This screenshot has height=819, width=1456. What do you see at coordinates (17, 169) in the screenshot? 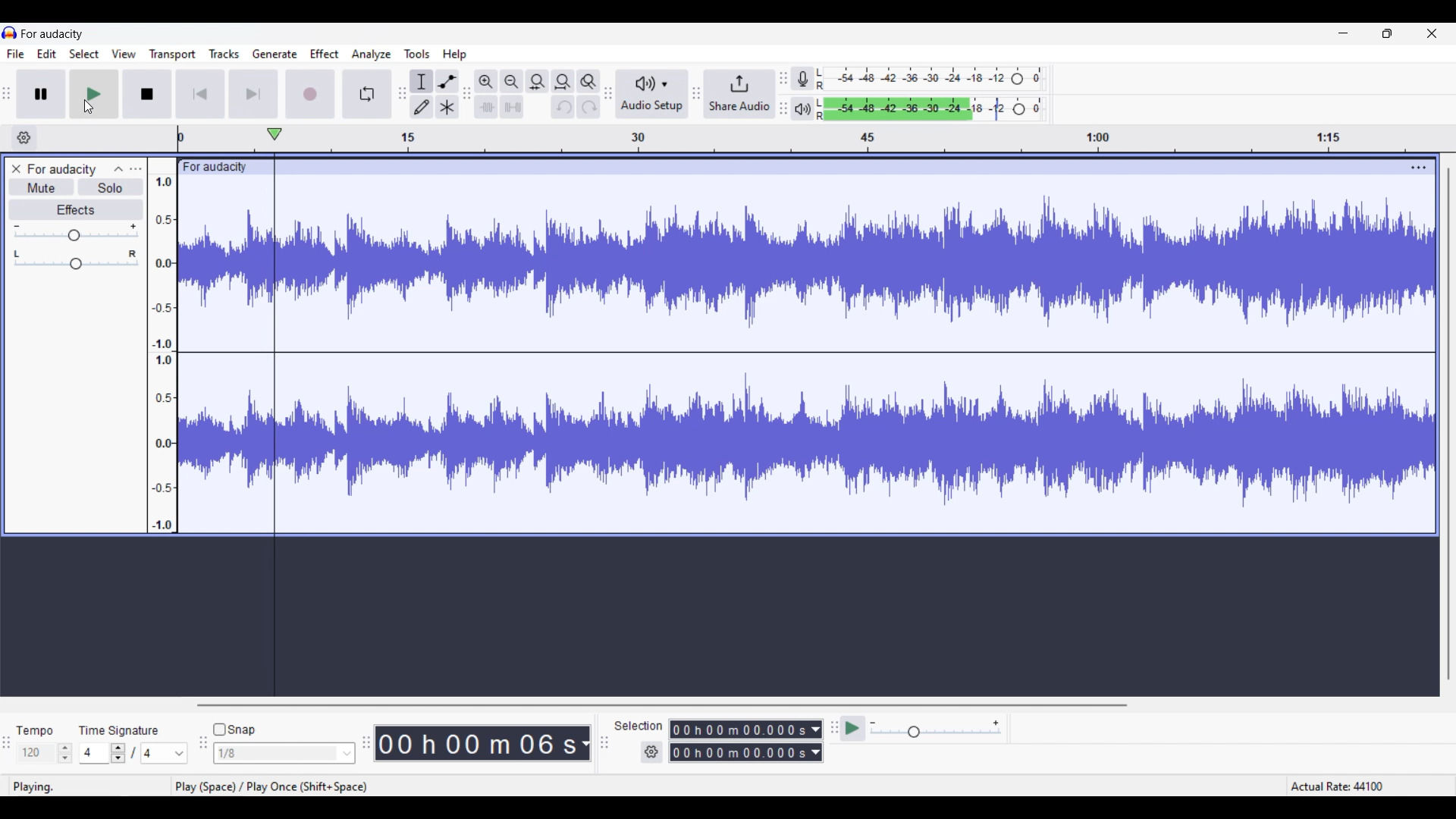
I see `Close track` at bounding box center [17, 169].